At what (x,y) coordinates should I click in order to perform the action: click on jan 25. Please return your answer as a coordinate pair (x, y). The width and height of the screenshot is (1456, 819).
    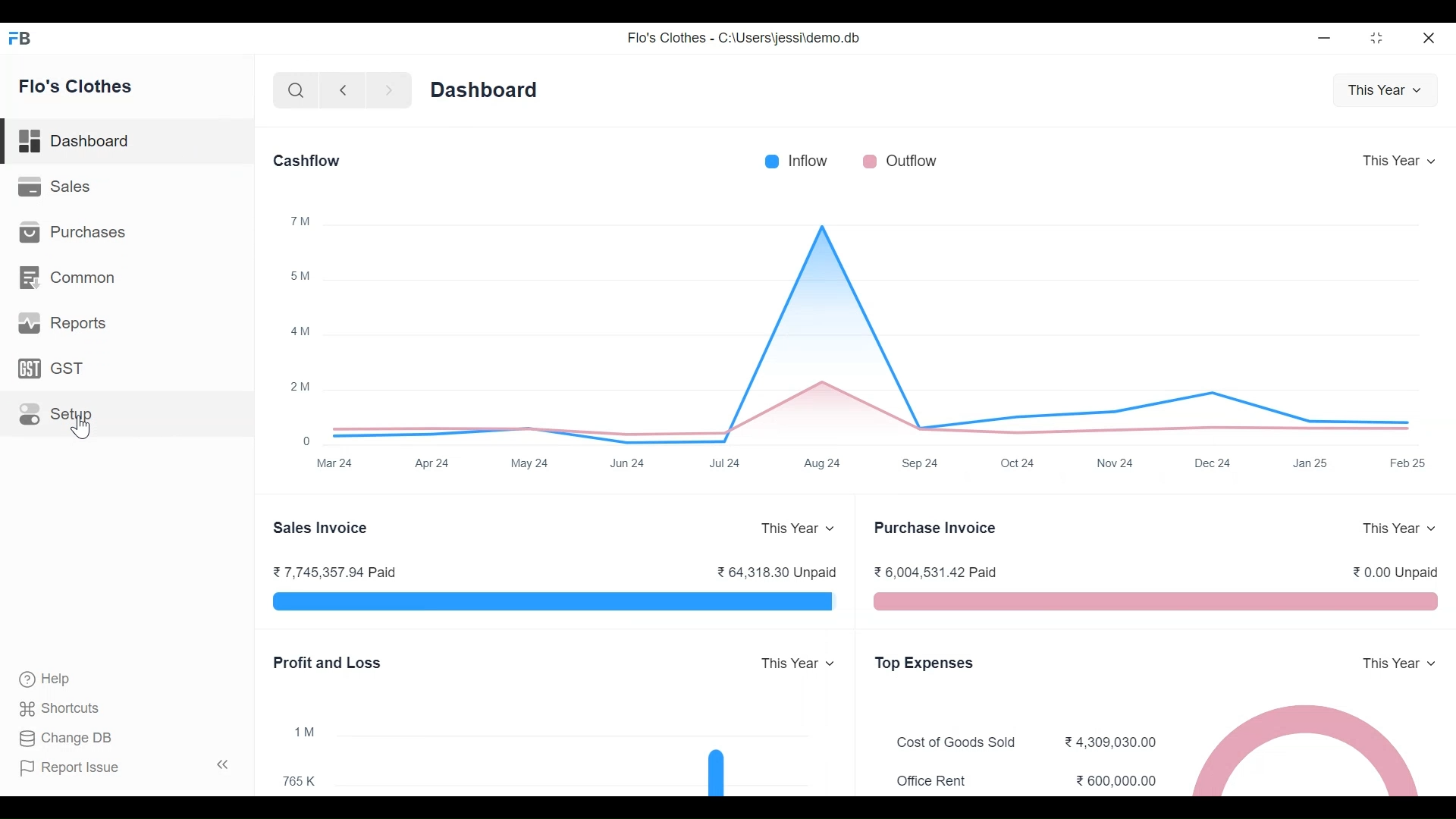
    Looking at the image, I should click on (1309, 463).